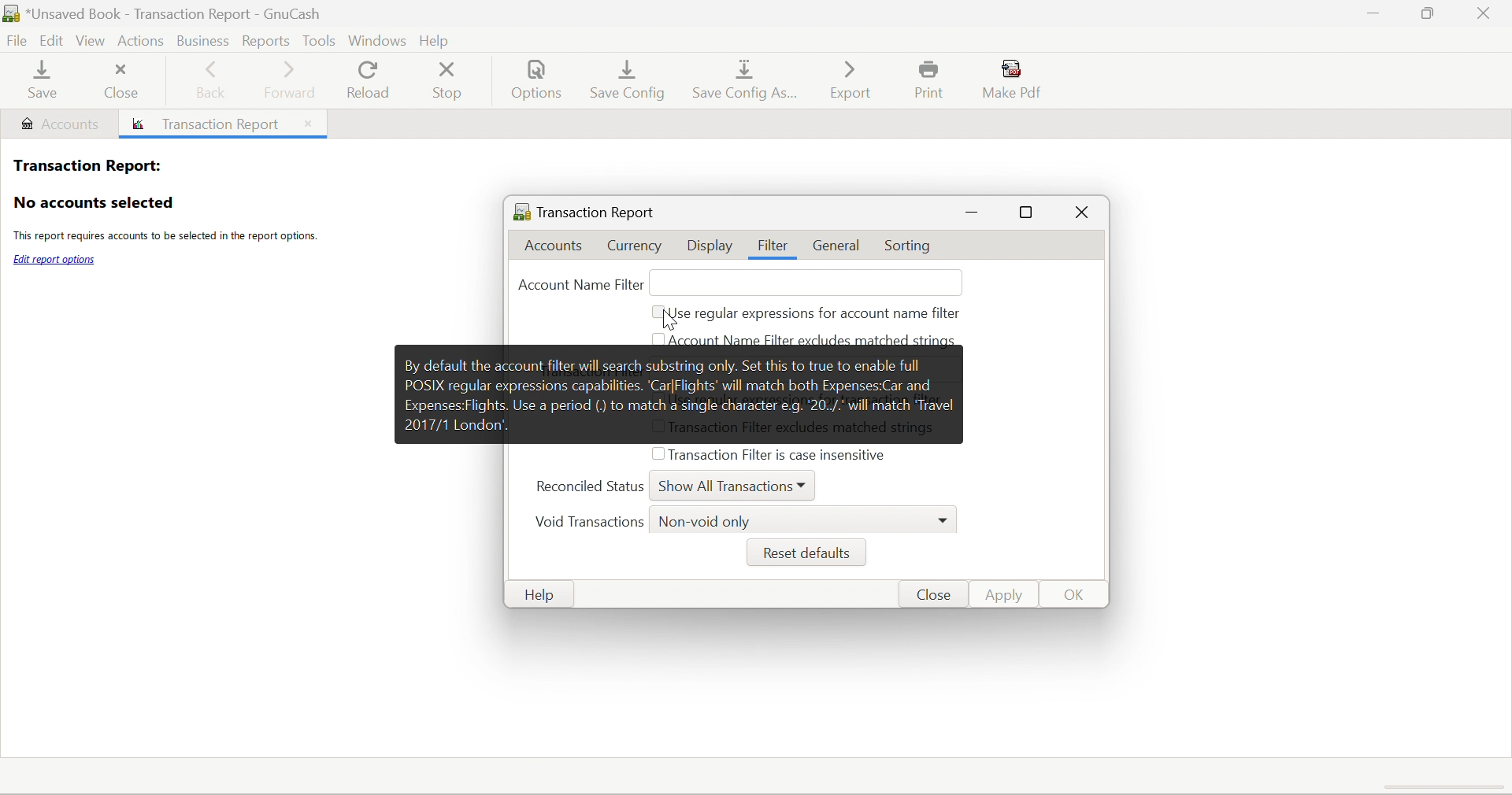  I want to click on Minimize, so click(1369, 14).